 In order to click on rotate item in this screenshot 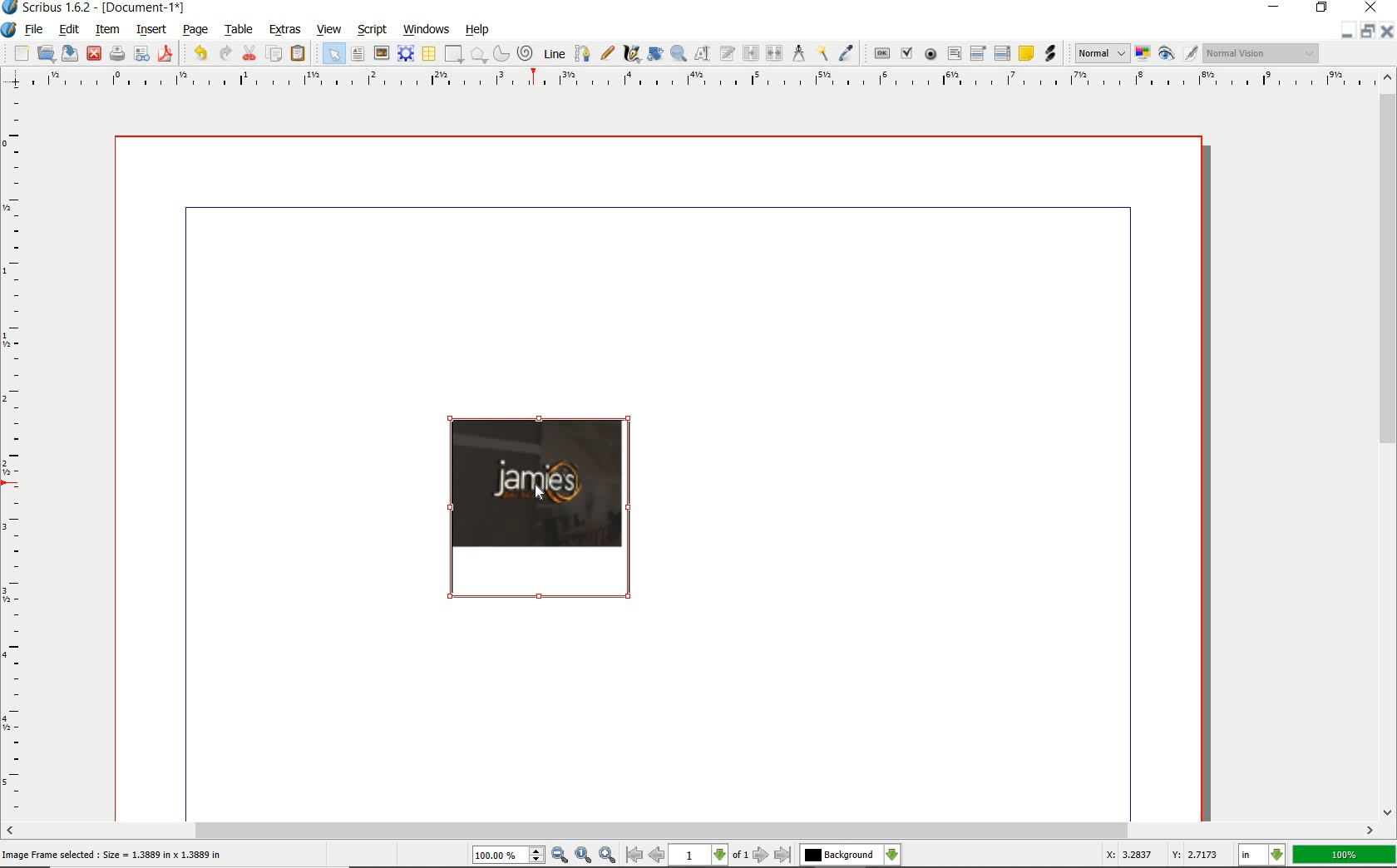, I will do `click(656, 54)`.